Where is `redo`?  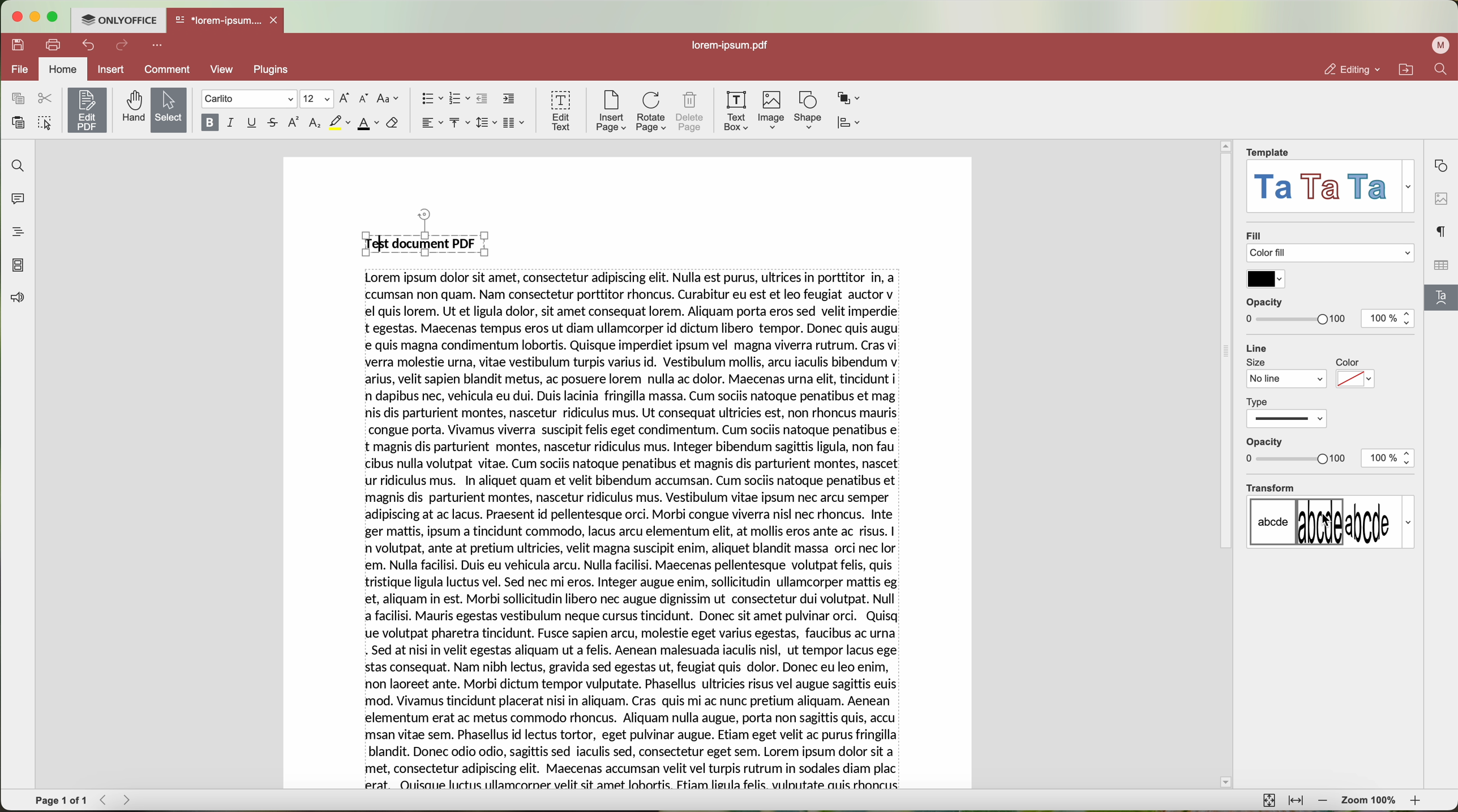
redo is located at coordinates (123, 46).